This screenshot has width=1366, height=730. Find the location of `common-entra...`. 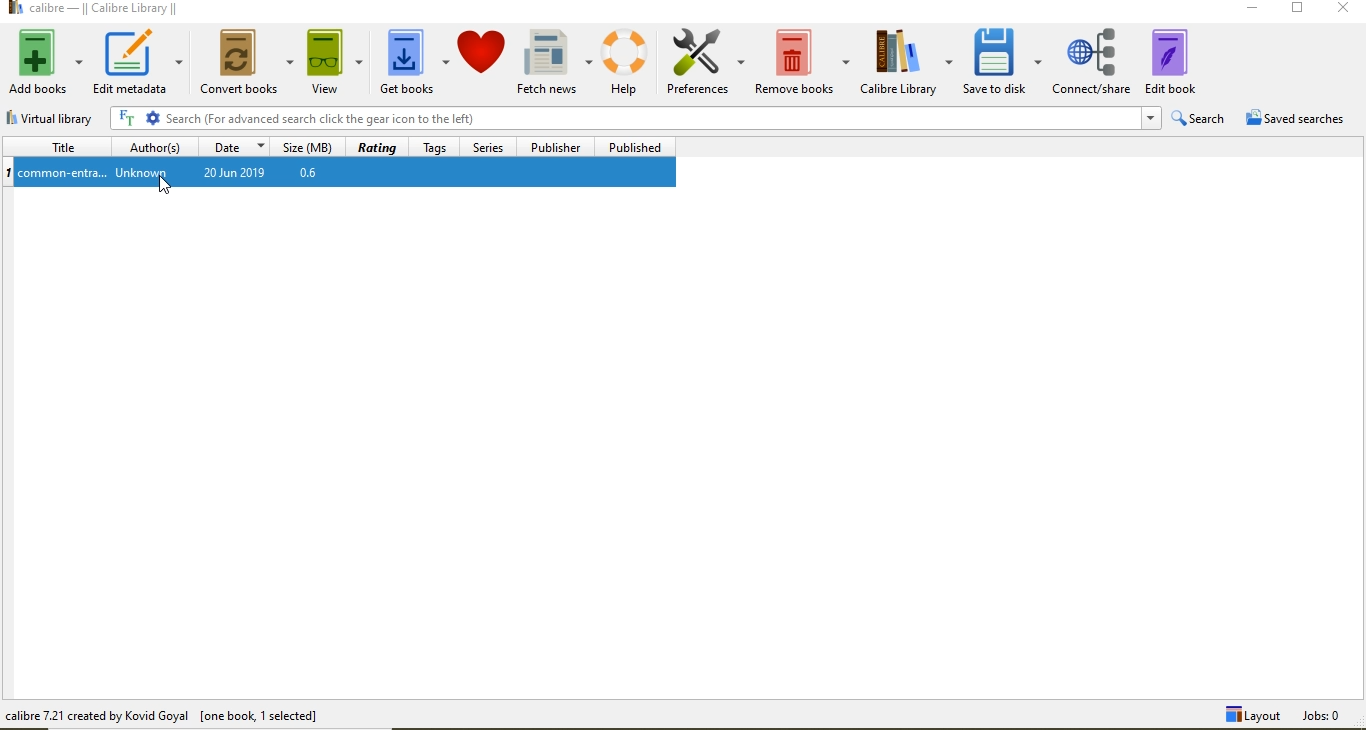

common-entra... is located at coordinates (63, 174).